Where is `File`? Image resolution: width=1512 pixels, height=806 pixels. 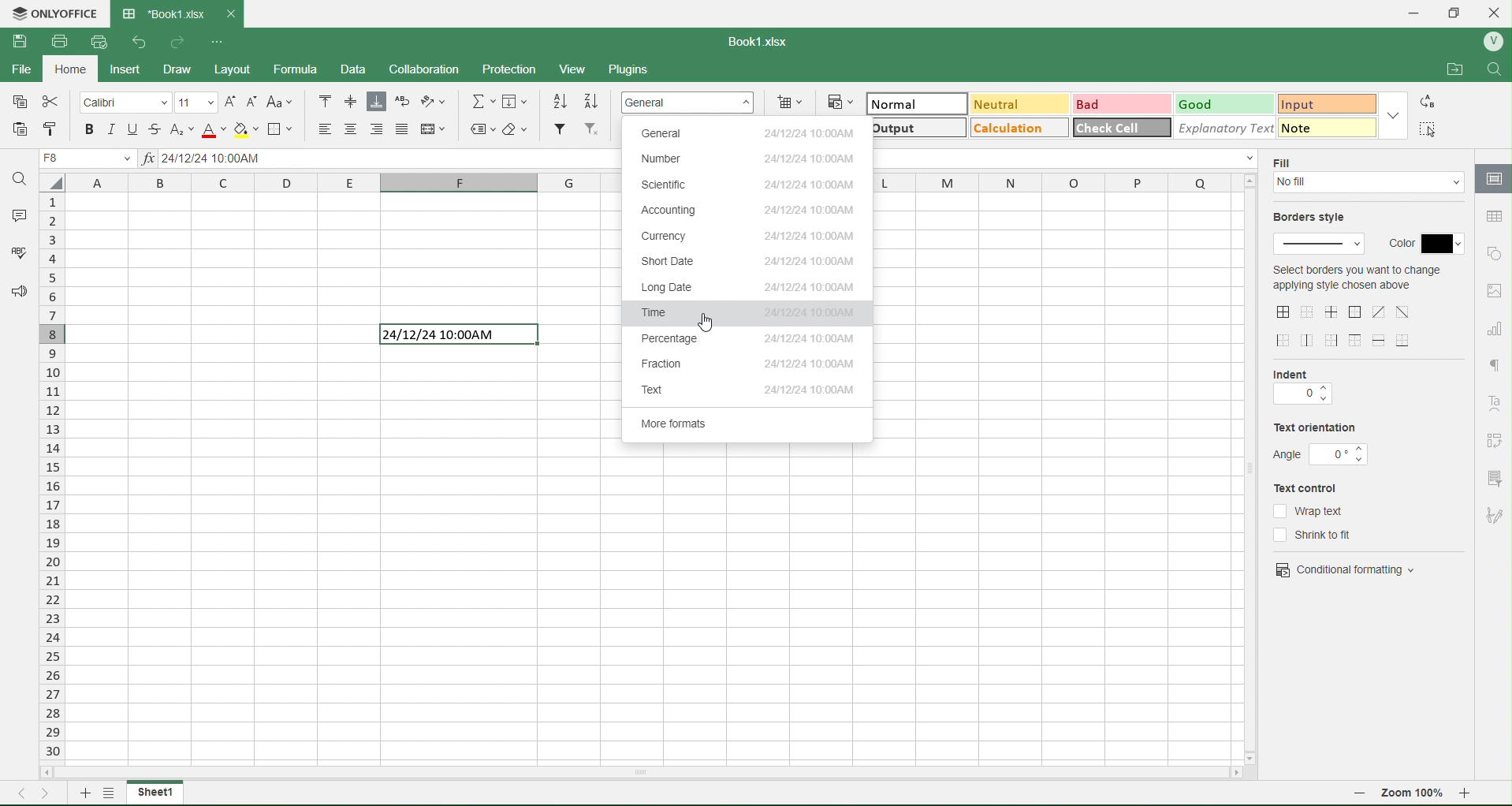 File is located at coordinates (24, 73).